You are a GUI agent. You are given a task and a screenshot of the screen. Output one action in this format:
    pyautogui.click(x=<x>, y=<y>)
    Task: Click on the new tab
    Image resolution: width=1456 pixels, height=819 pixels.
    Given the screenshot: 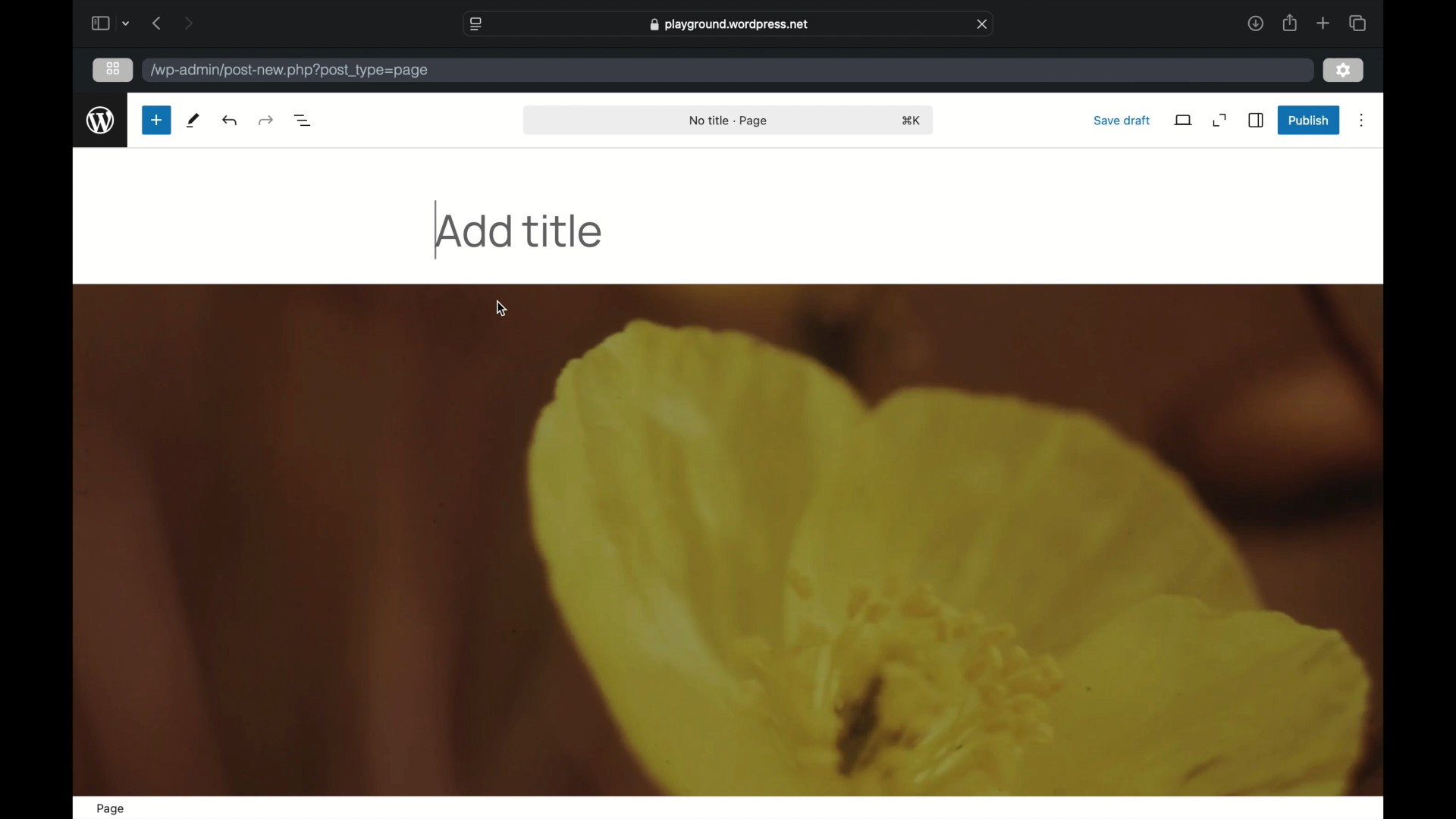 What is the action you would take?
    pyautogui.click(x=1323, y=23)
    